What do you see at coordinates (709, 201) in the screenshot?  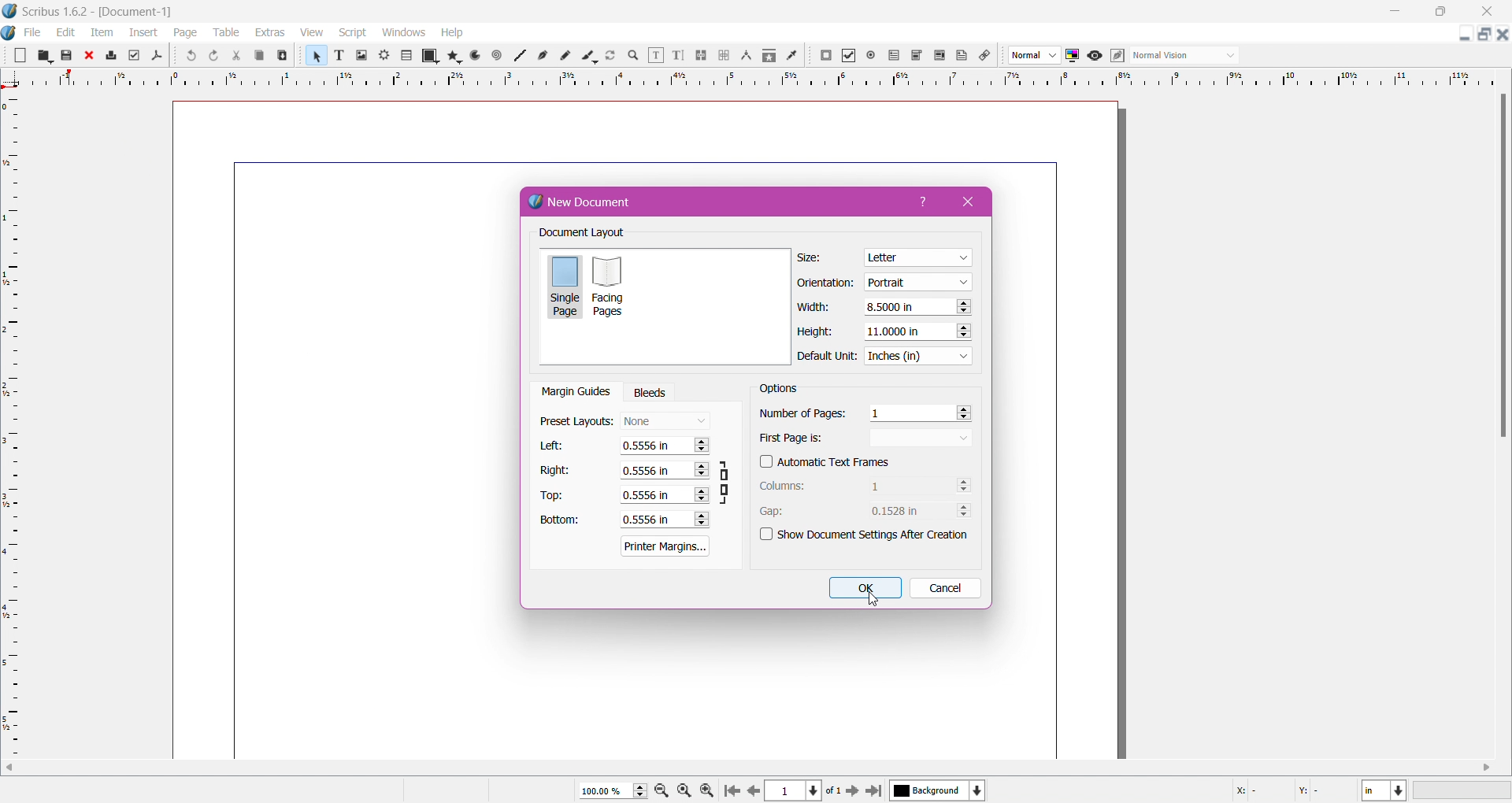 I see `new document tab` at bounding box center [709, 201].